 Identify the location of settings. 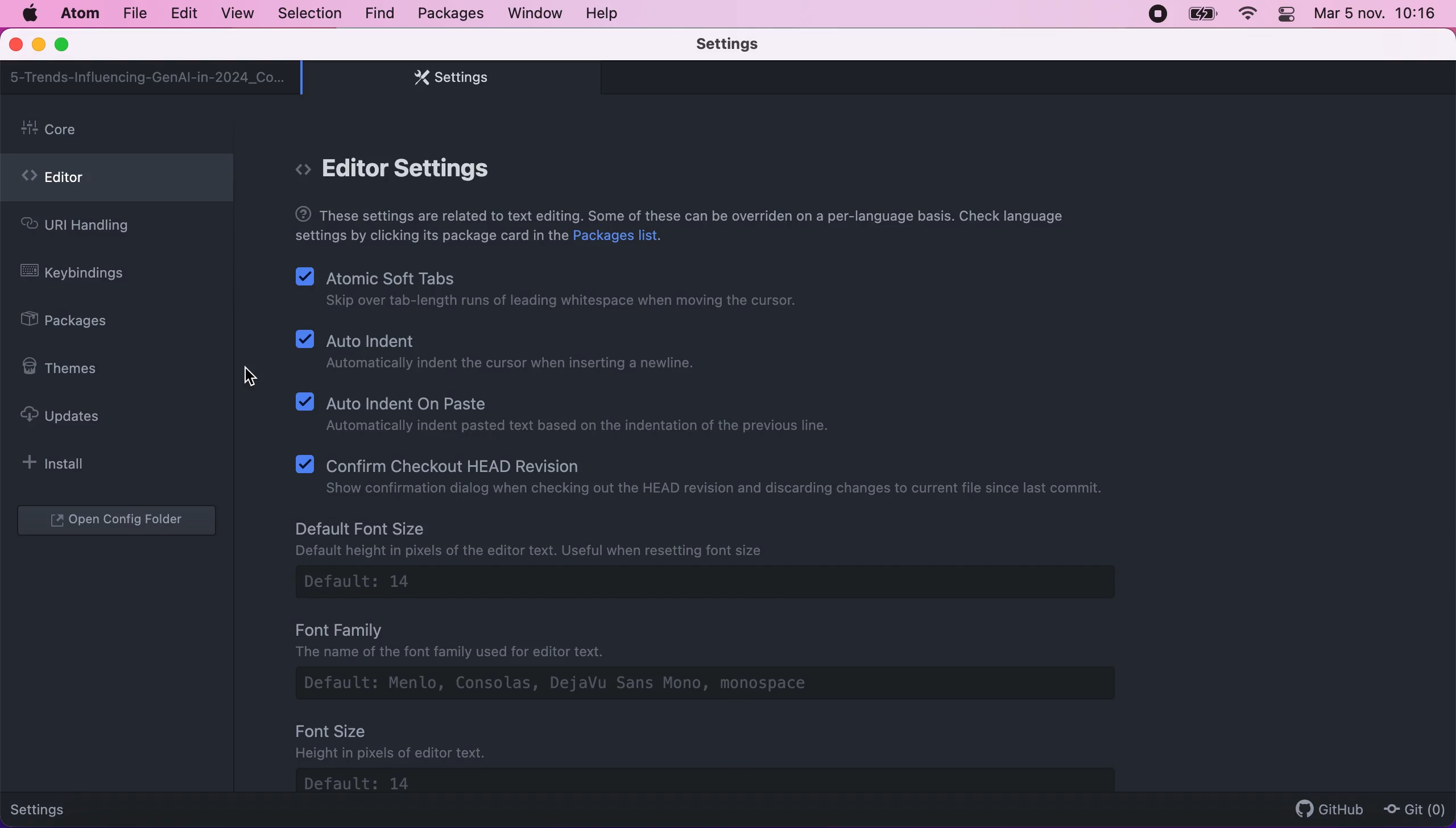
(47, 808).